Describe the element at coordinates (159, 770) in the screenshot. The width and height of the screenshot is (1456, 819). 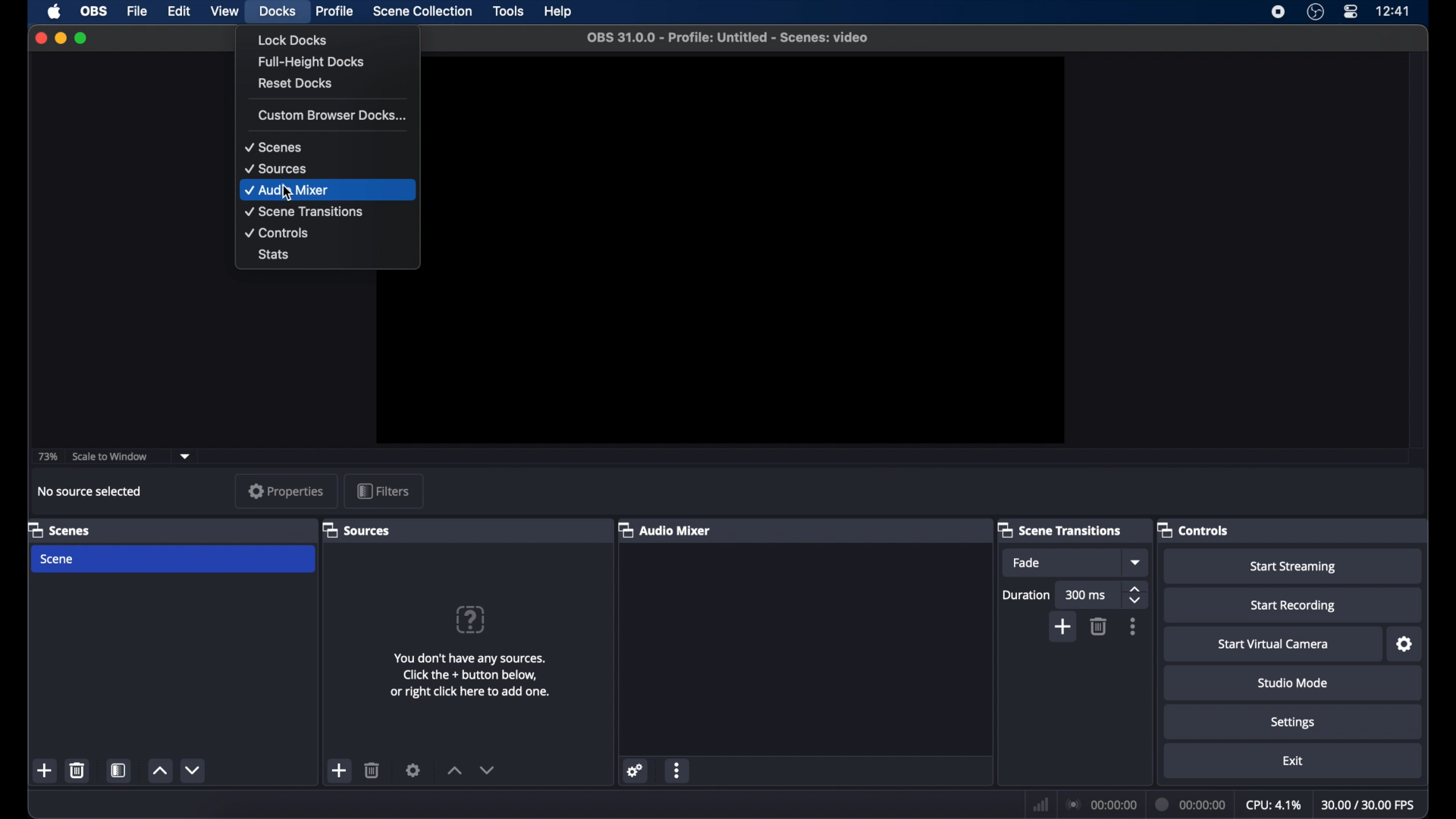
I see `increment` at that location.